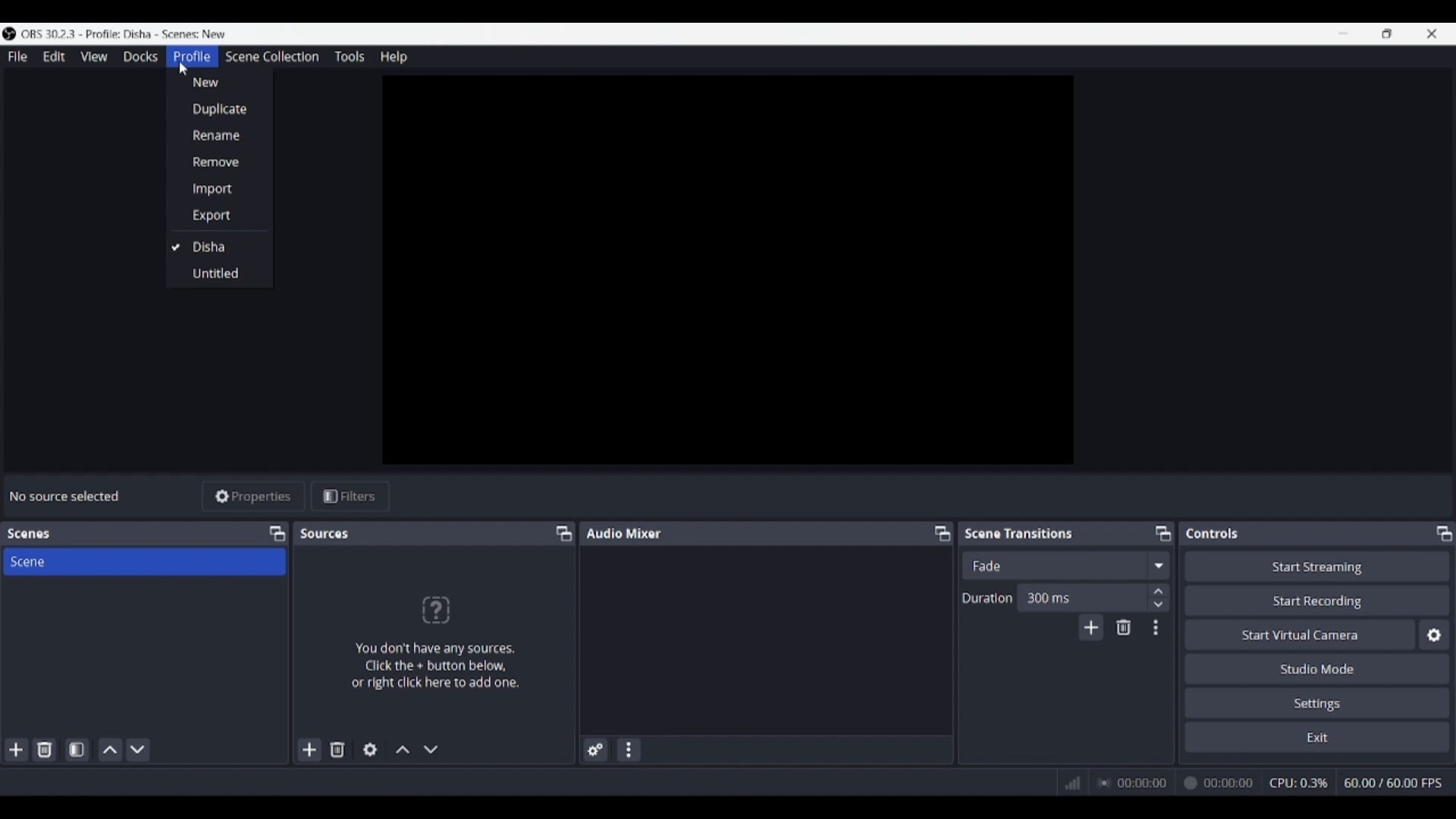 Image resolution: width=1456 pixels, height=819 pixels. What do you see at coordinates (1394, 782) in the screenshot?
I see `30.00` at bounding box center [1394, 782].